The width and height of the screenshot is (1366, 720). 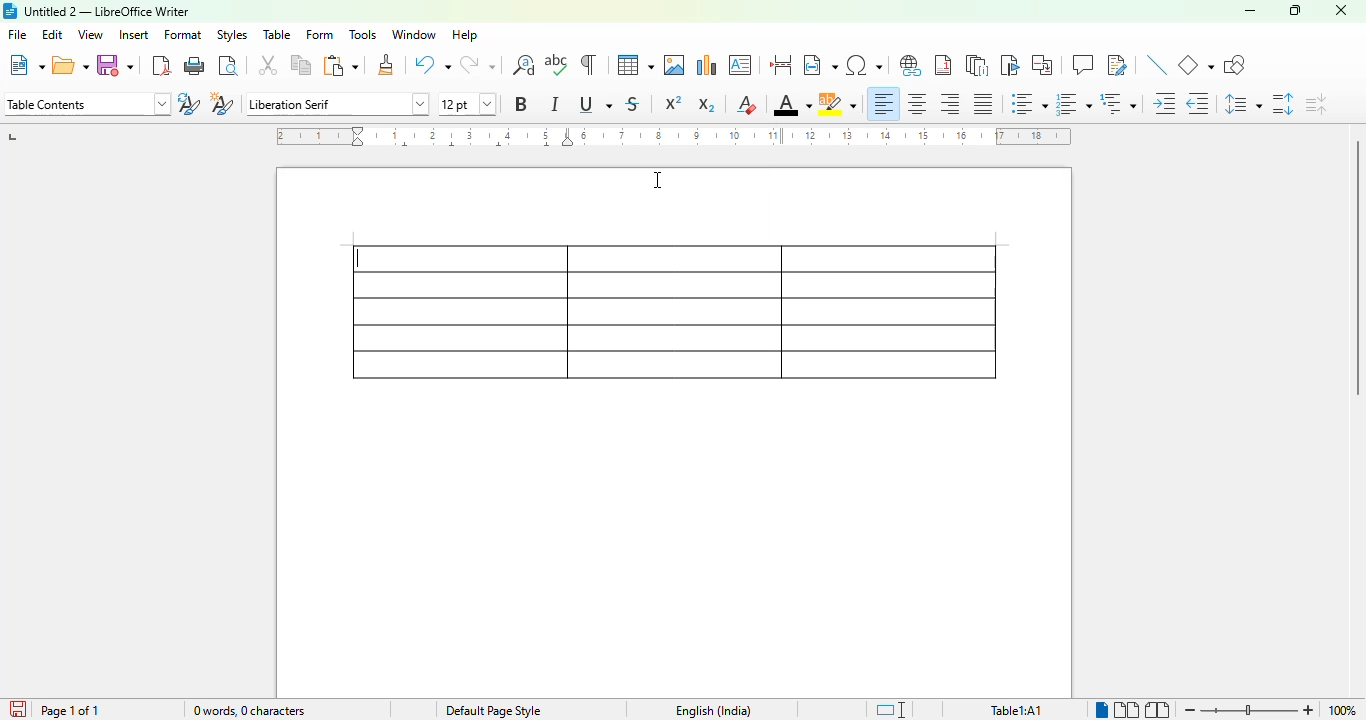 What do you see at coordinates (707, 65) in the screenshot?
I see `insert chart` at bounding box center [707, 65].